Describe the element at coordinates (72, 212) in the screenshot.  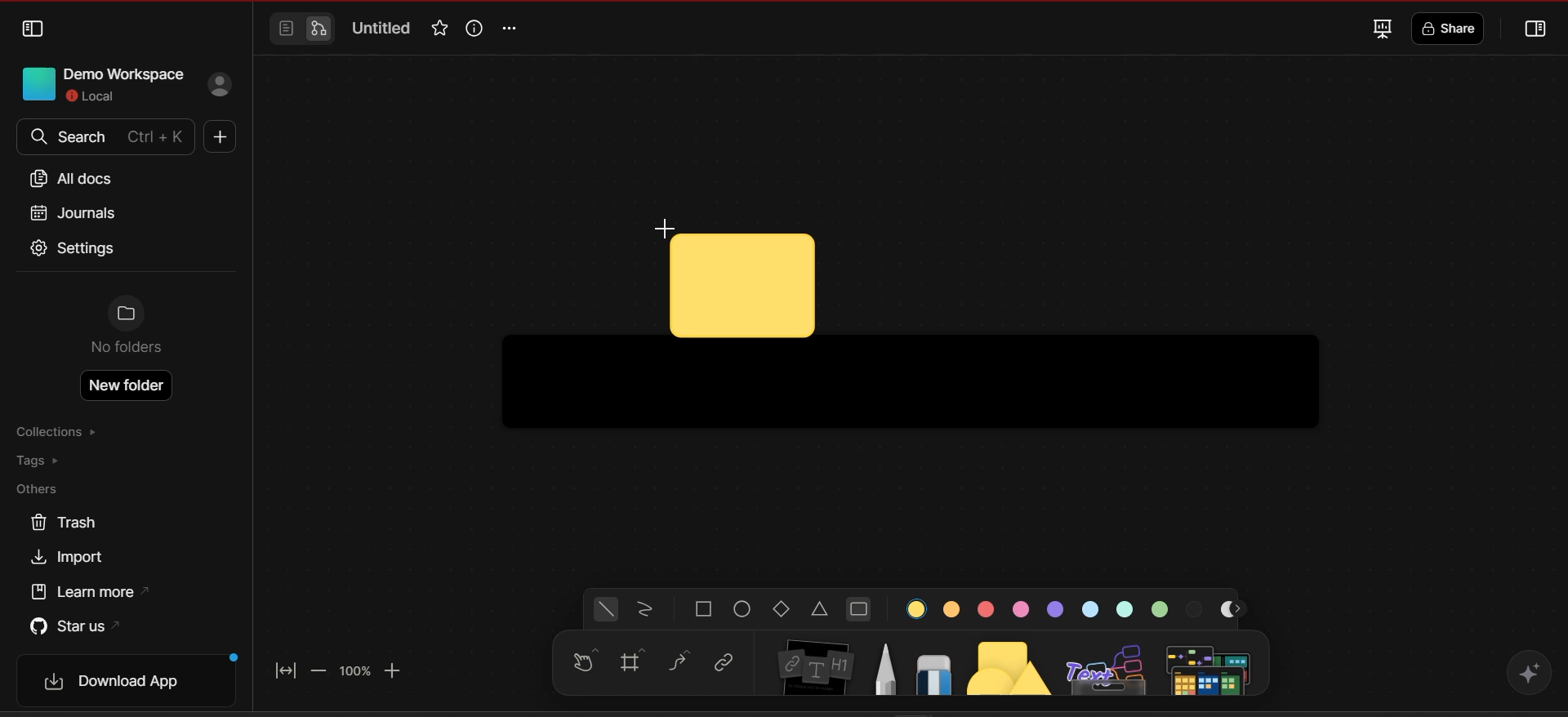
I see `journals` at that location.